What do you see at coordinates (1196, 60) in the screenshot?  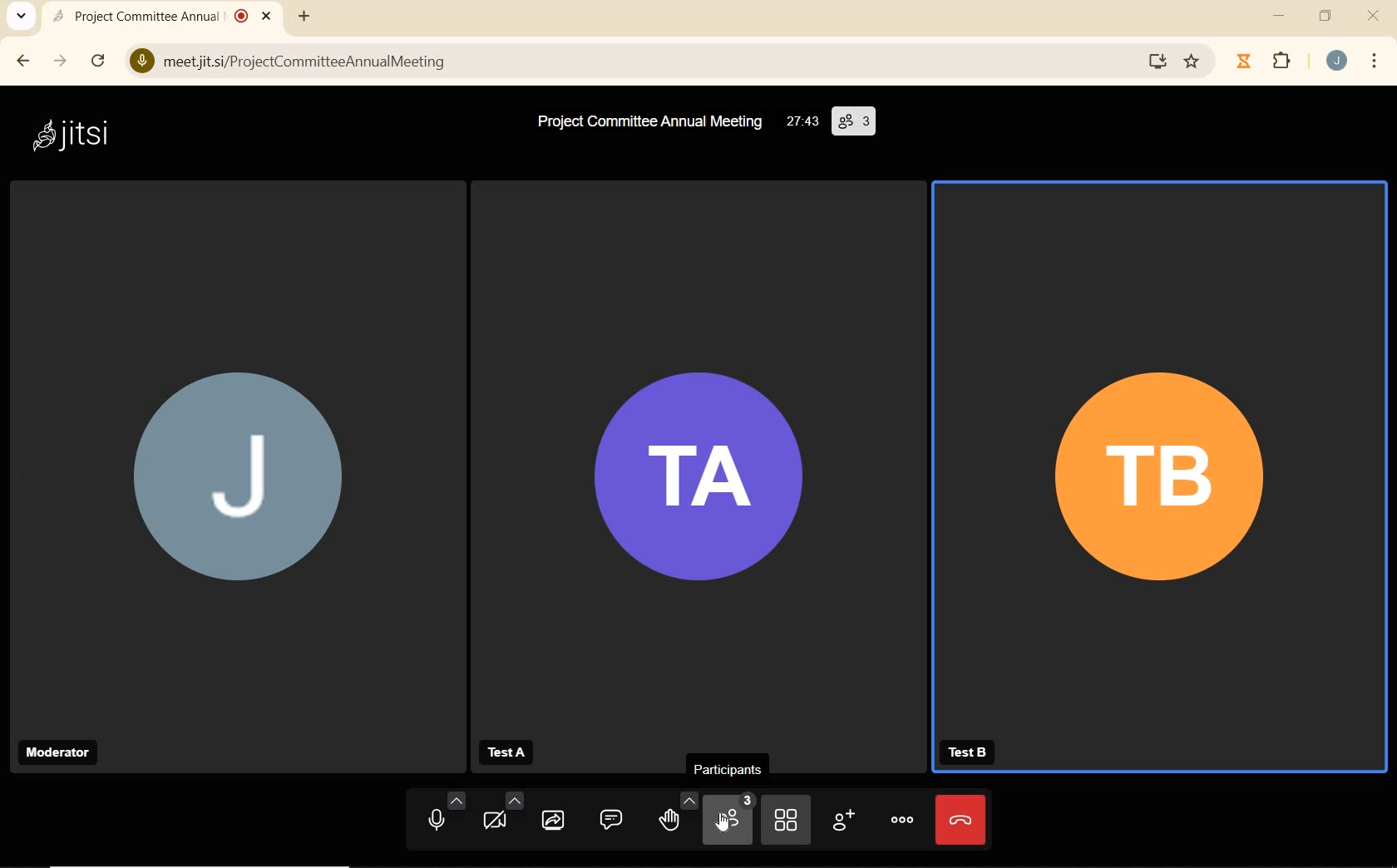 I see `Favorites` at bounding box center [1196, 60].